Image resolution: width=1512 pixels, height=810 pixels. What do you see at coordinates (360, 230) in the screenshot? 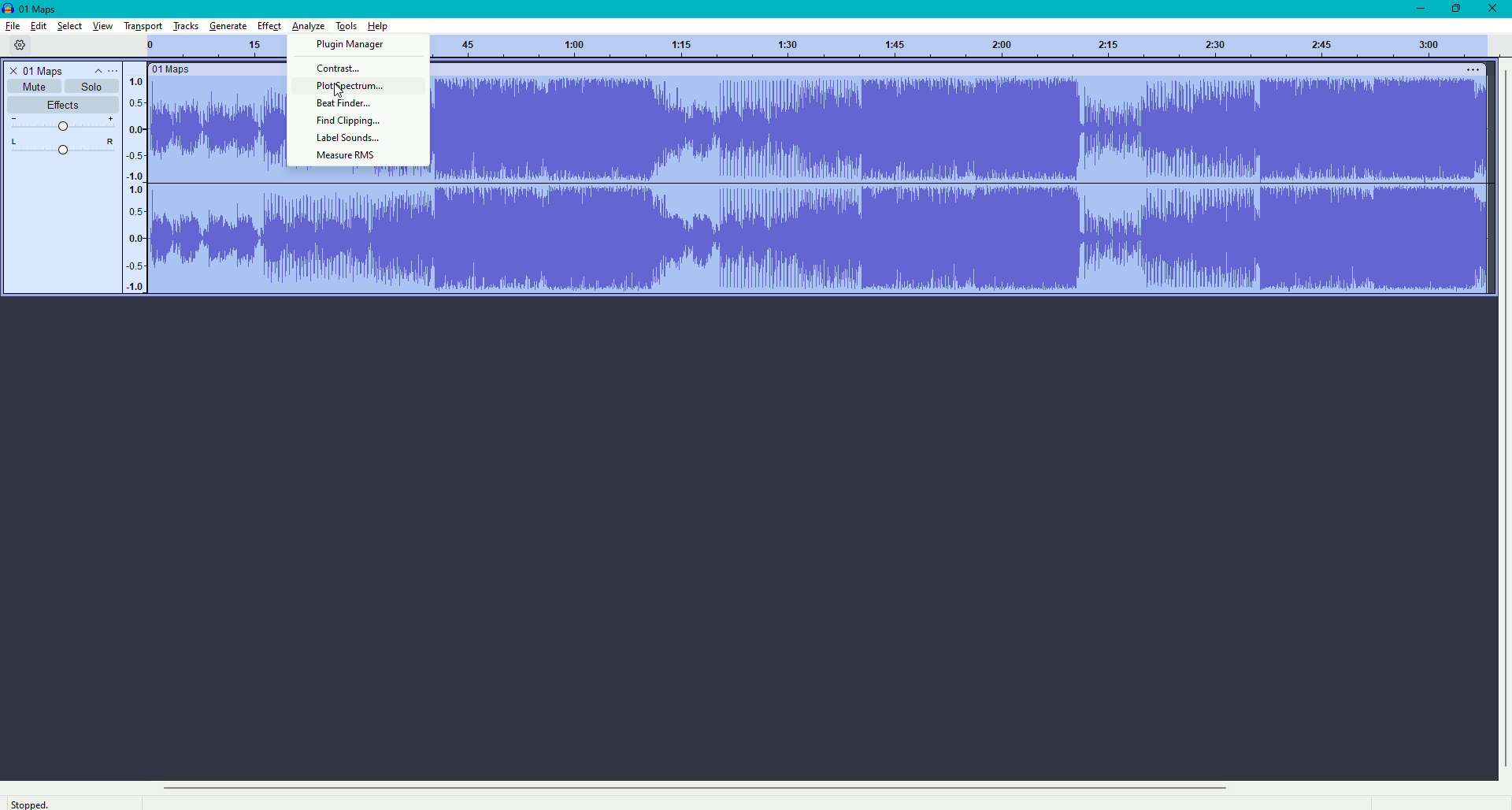
I see `sound track` at bounding box center [360, 230].